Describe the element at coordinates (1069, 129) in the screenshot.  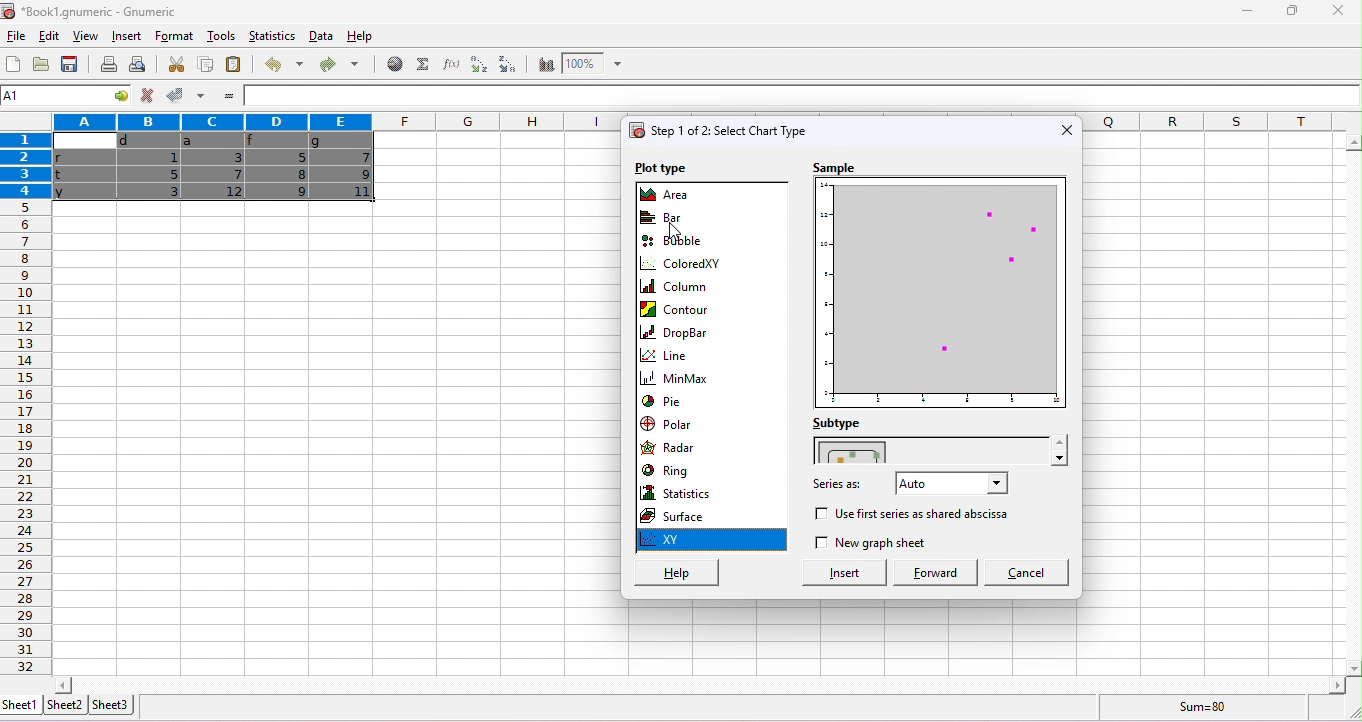
I see `close` at that location.